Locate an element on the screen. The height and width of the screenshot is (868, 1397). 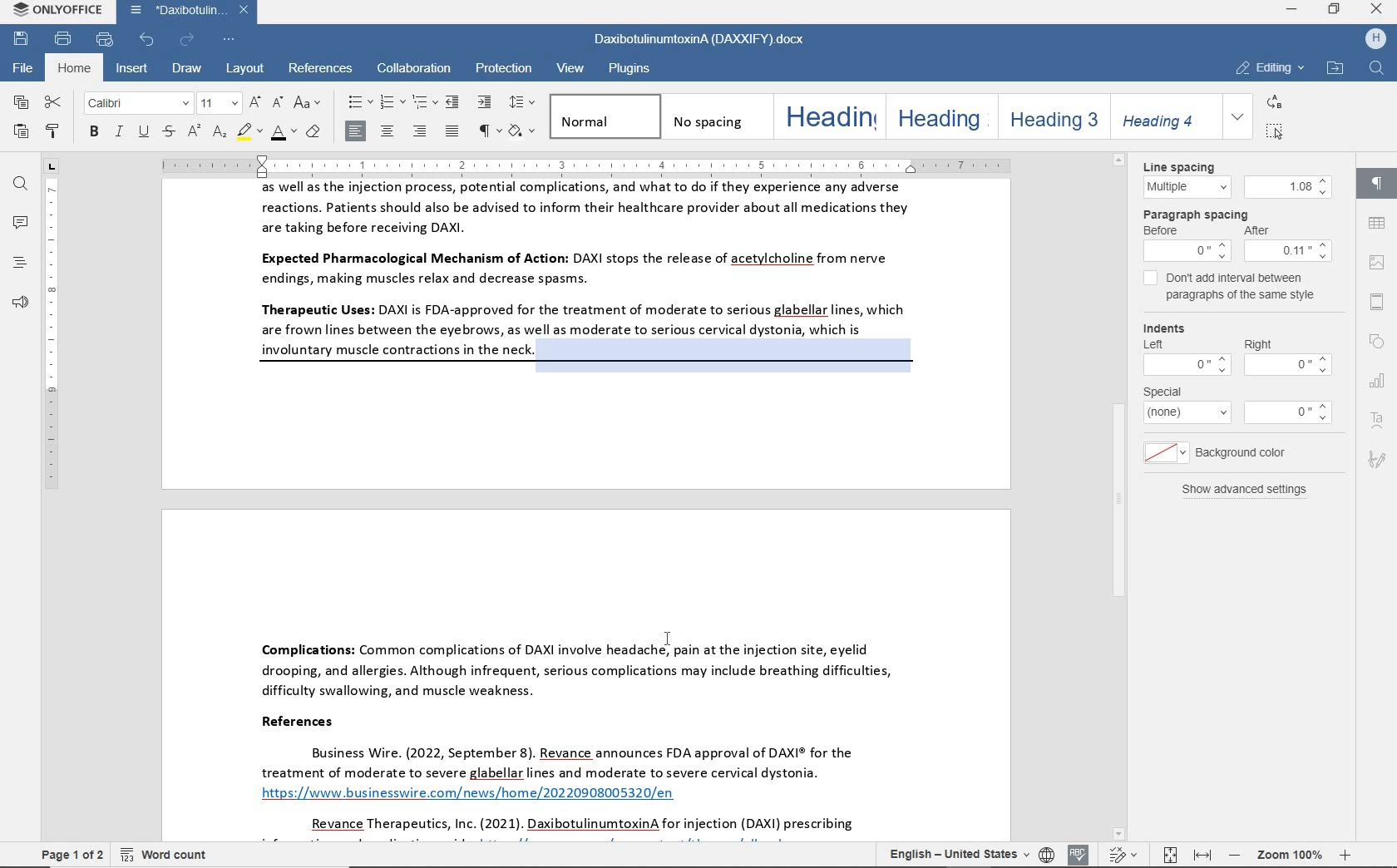
document name is located at coordinates (697, 41).